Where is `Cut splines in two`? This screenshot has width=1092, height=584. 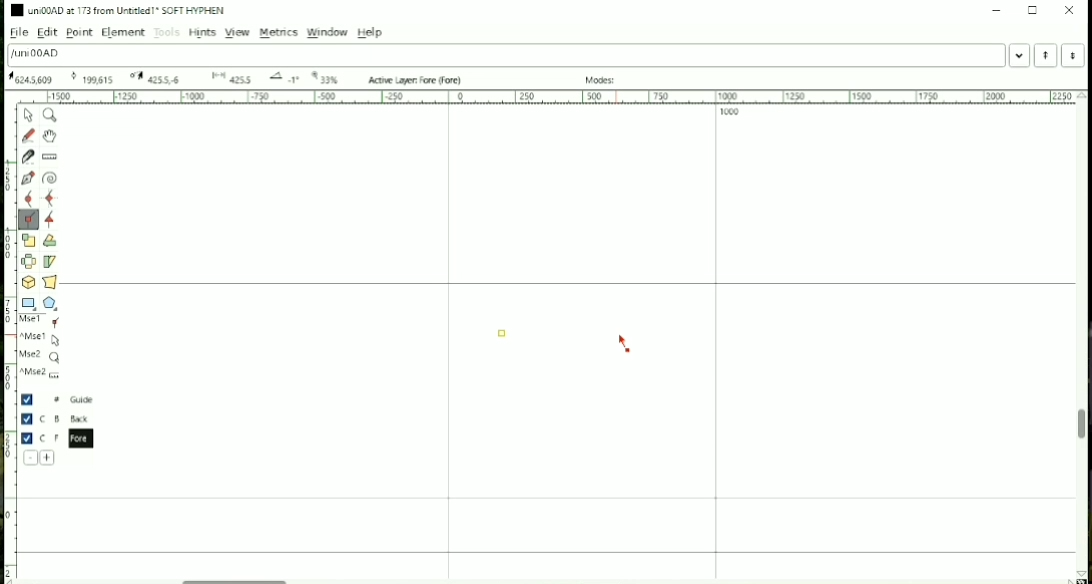 Cut splines in two is located at coordinates (28, 157).